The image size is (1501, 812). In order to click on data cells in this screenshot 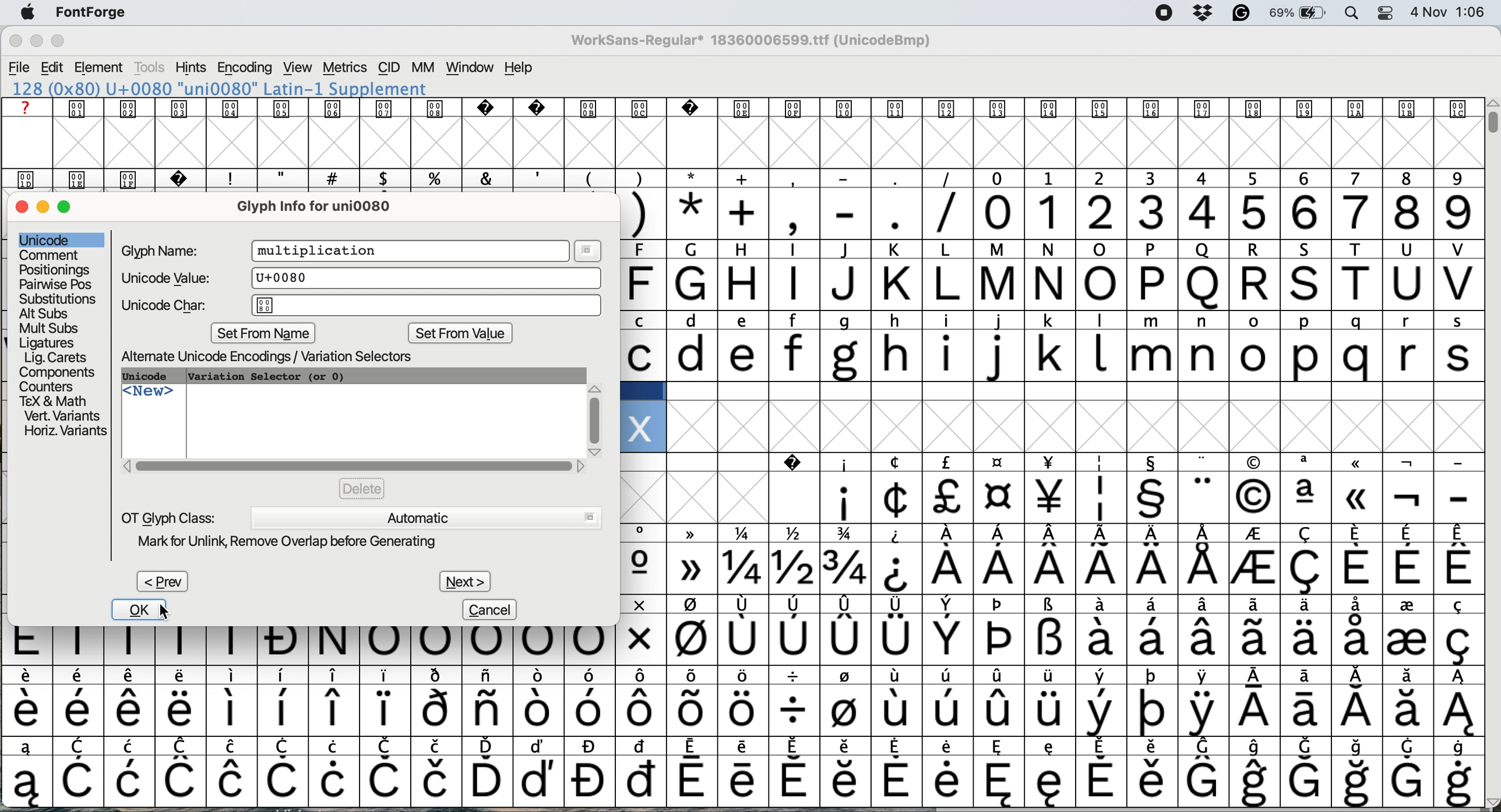, I will do `click(1054, 391)`.